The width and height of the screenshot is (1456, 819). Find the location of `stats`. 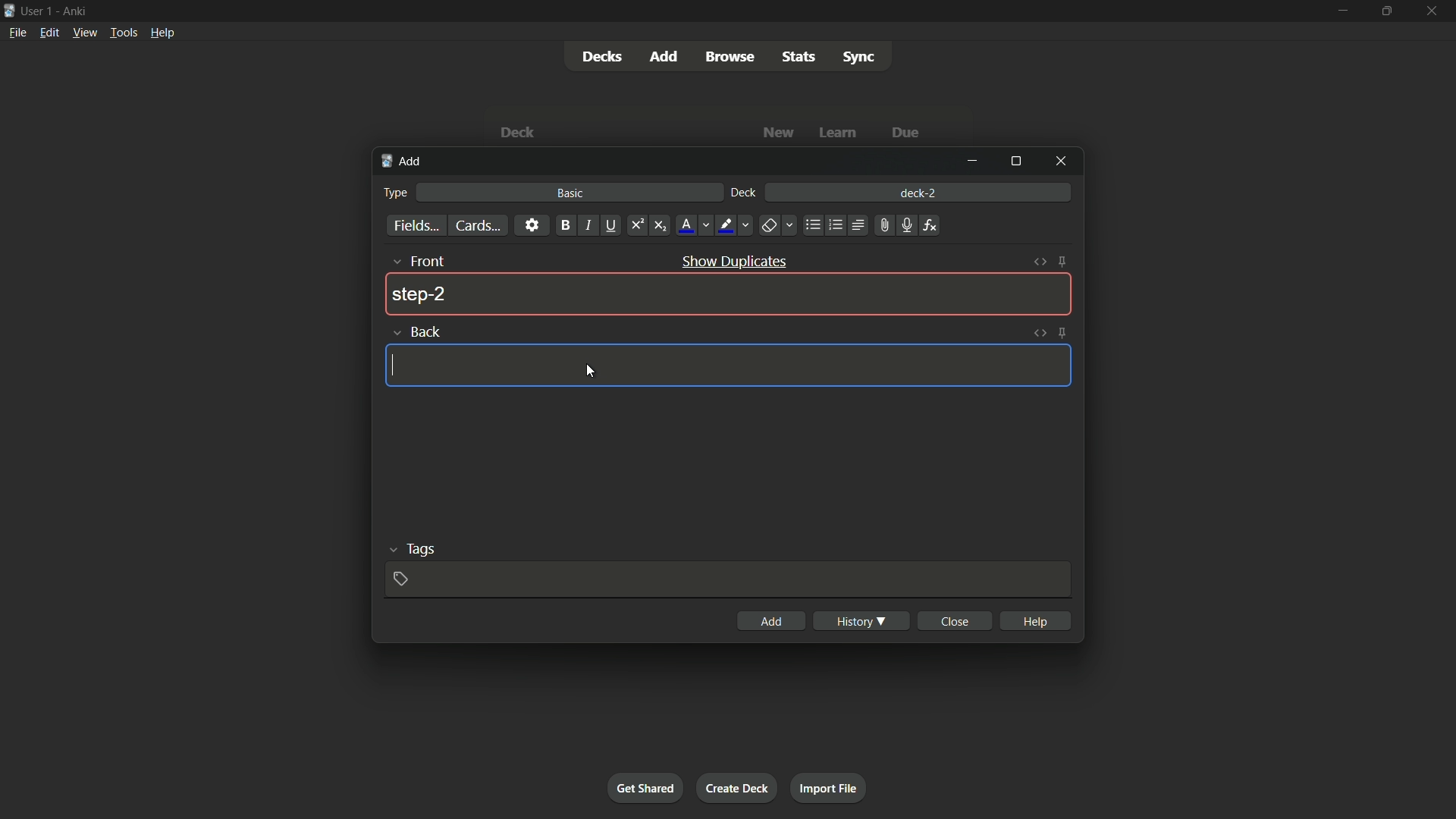

stats is located at coordinates (799, 56).